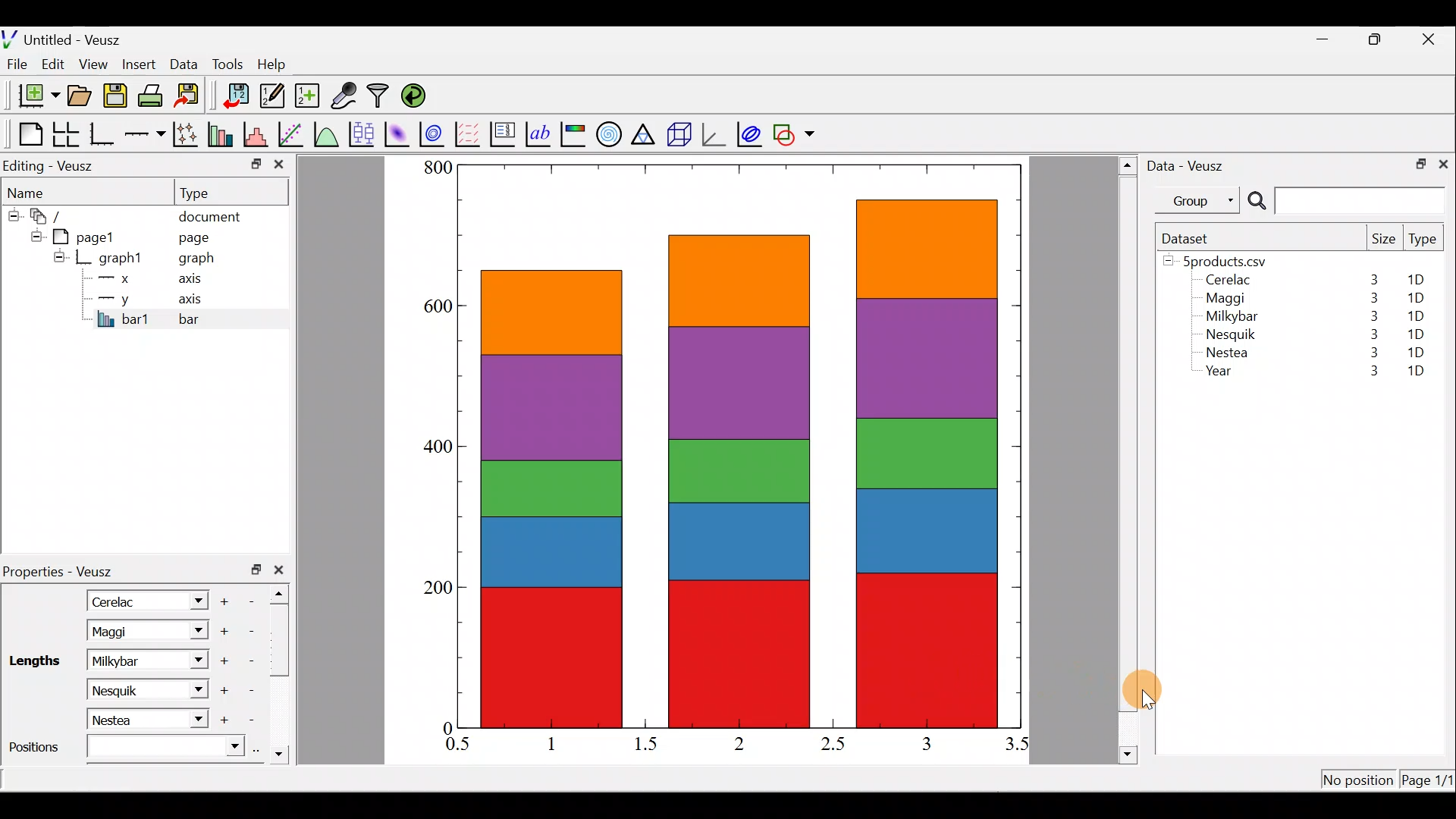 The image size is (1456, 819). I want to click on graph1, so click(121, 259).